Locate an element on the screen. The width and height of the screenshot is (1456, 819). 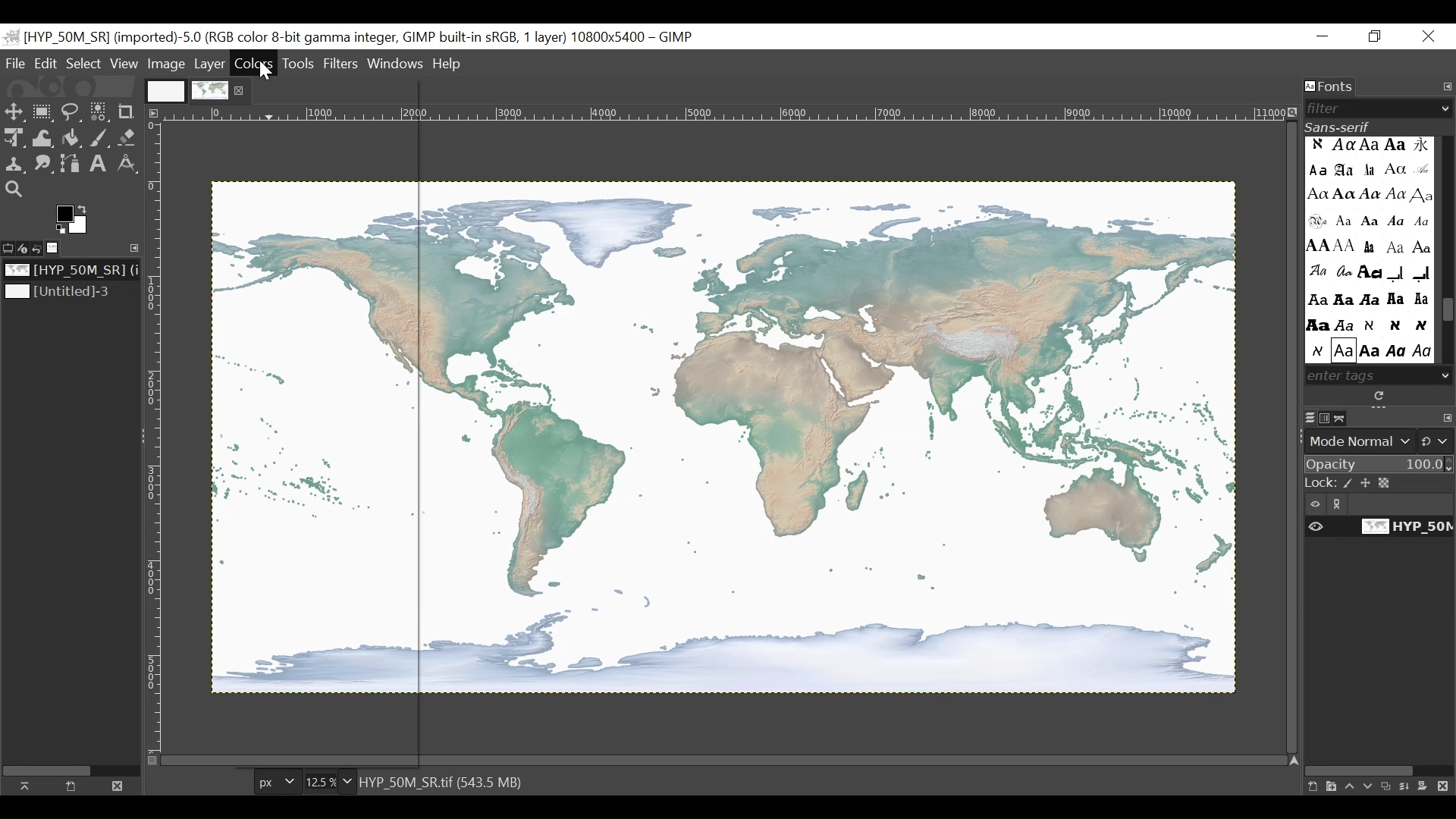
Close is located at coordinates (1429, 37).